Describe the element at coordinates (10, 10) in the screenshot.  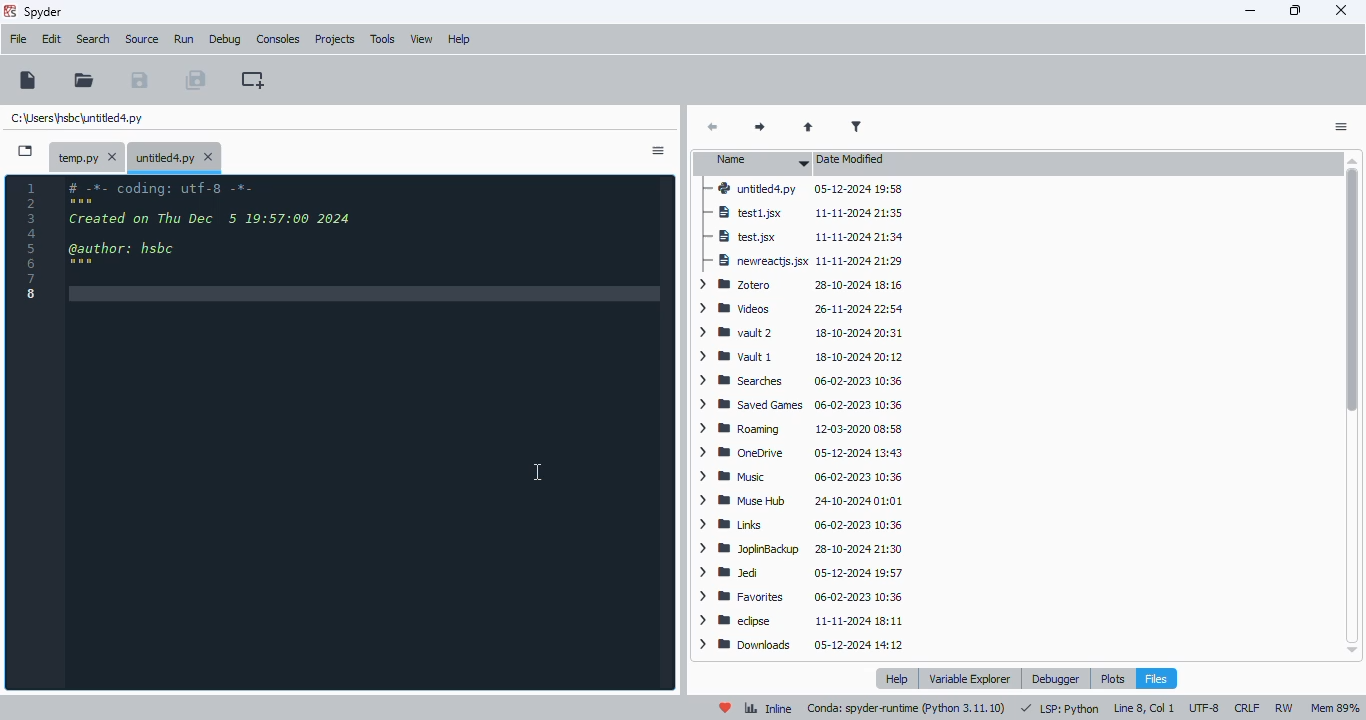
I see `logo` at that location.